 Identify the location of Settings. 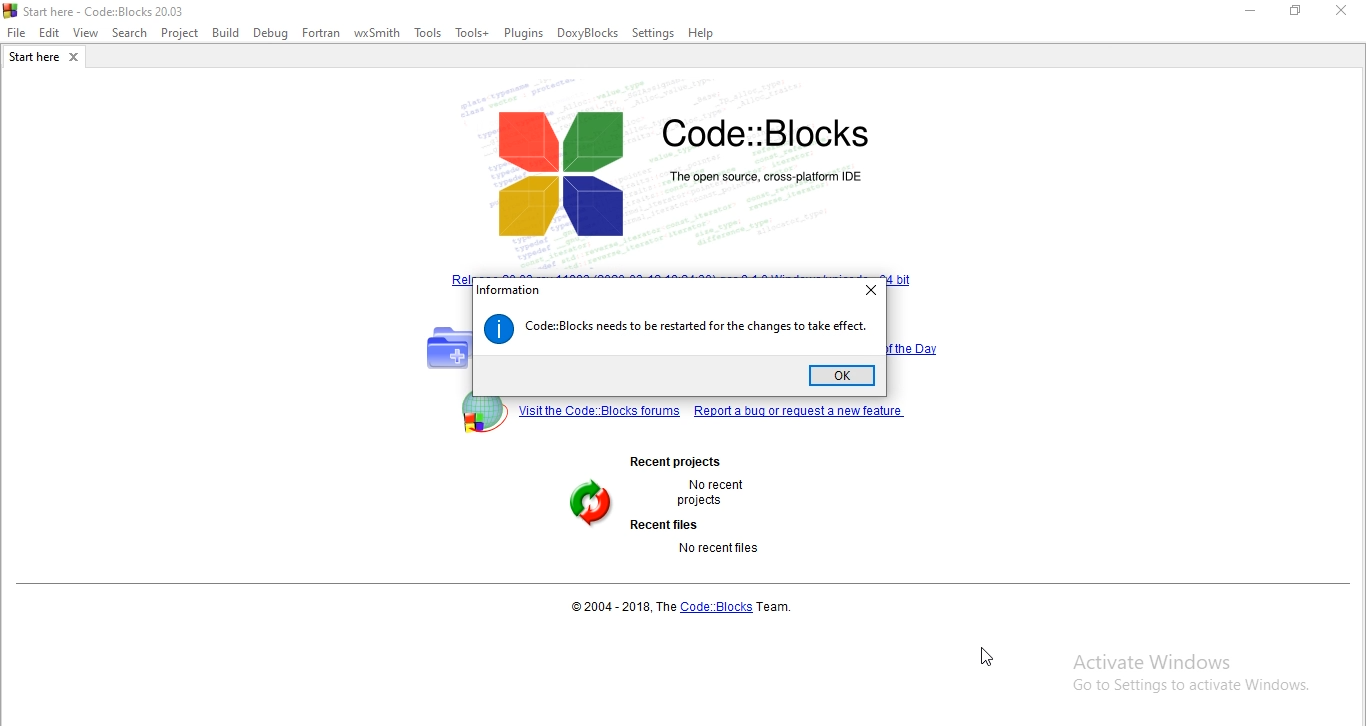
(654, 34).